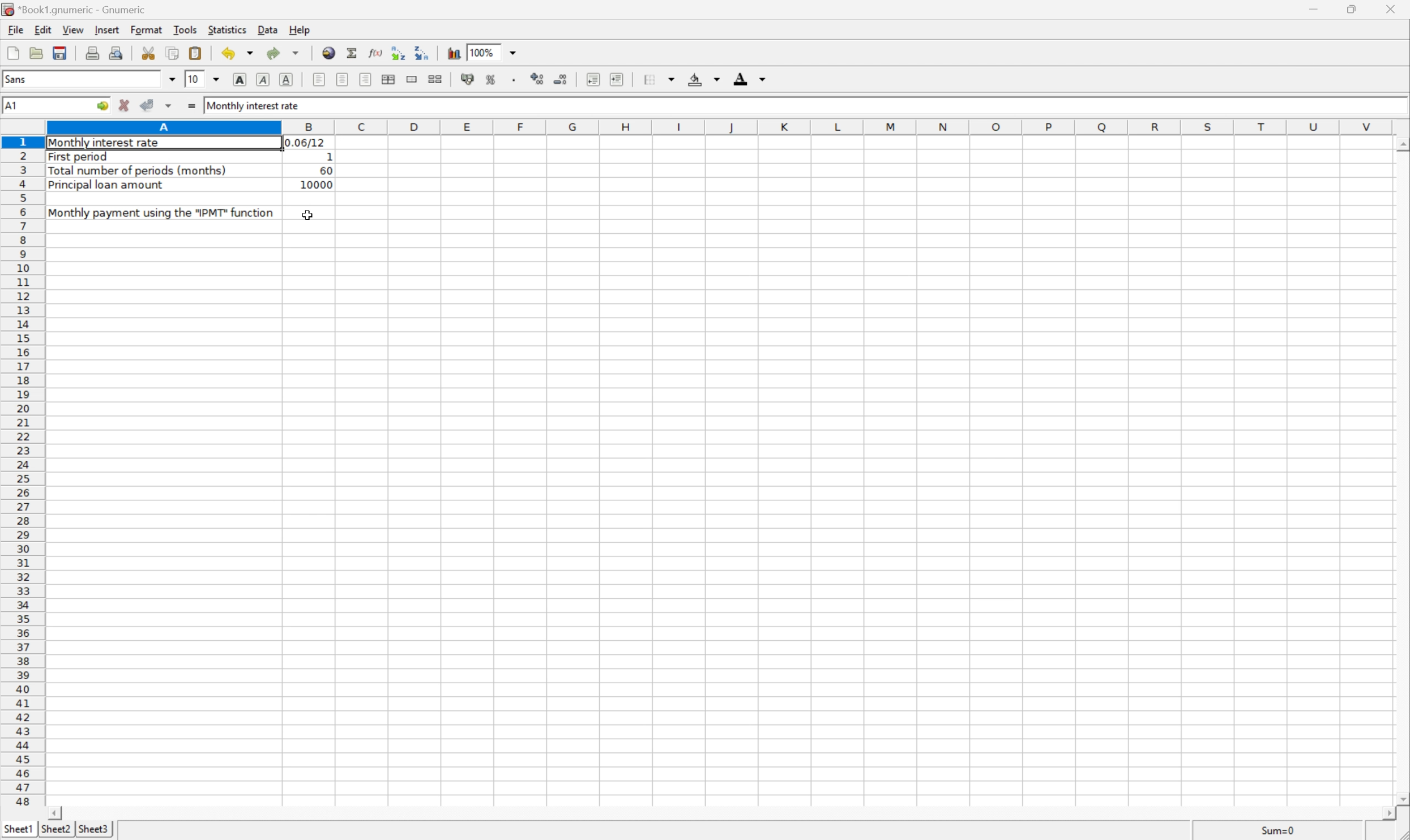  I want to click on Scroll Up, so click(1401, 143).